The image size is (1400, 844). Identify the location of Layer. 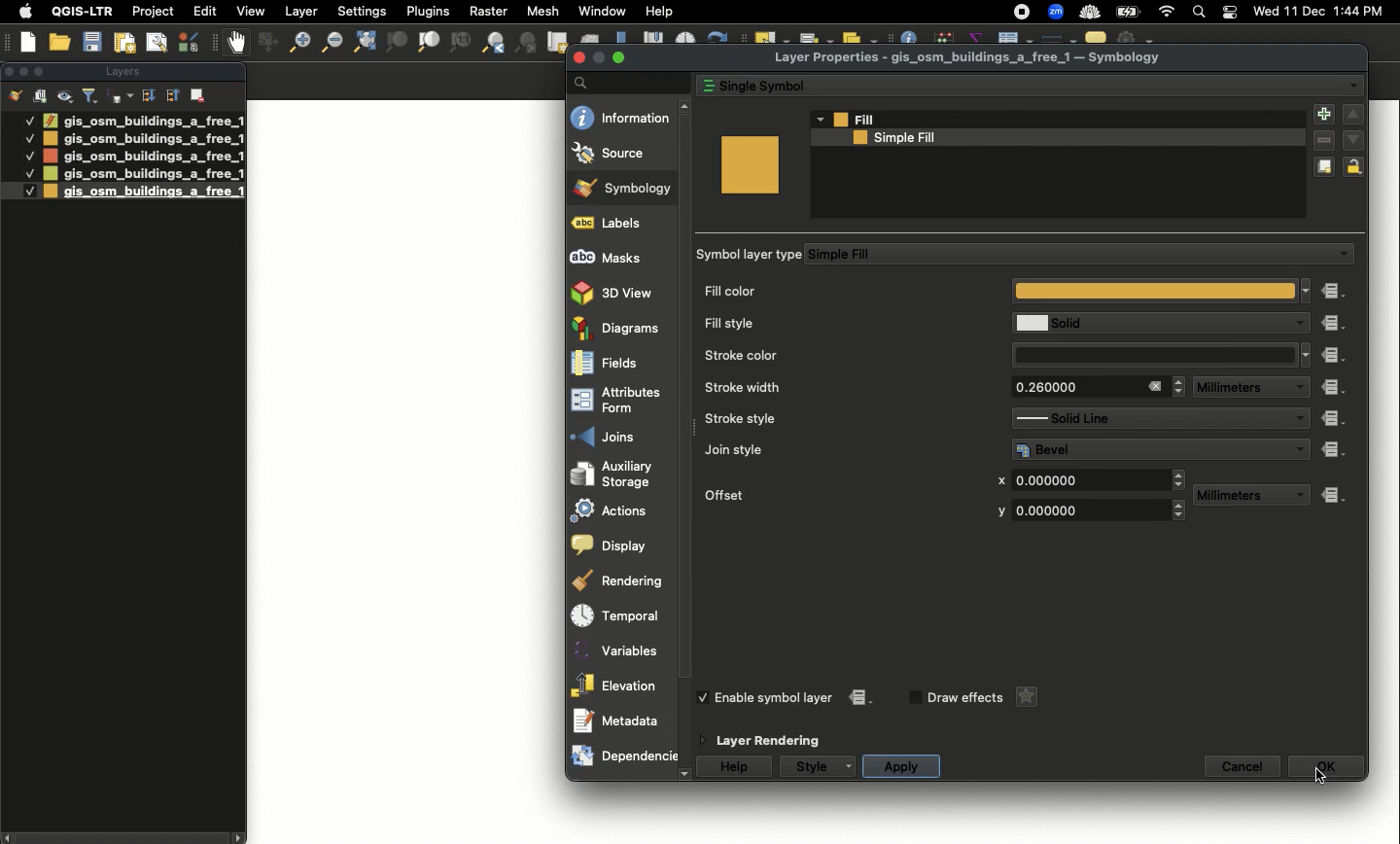
(302, 12).